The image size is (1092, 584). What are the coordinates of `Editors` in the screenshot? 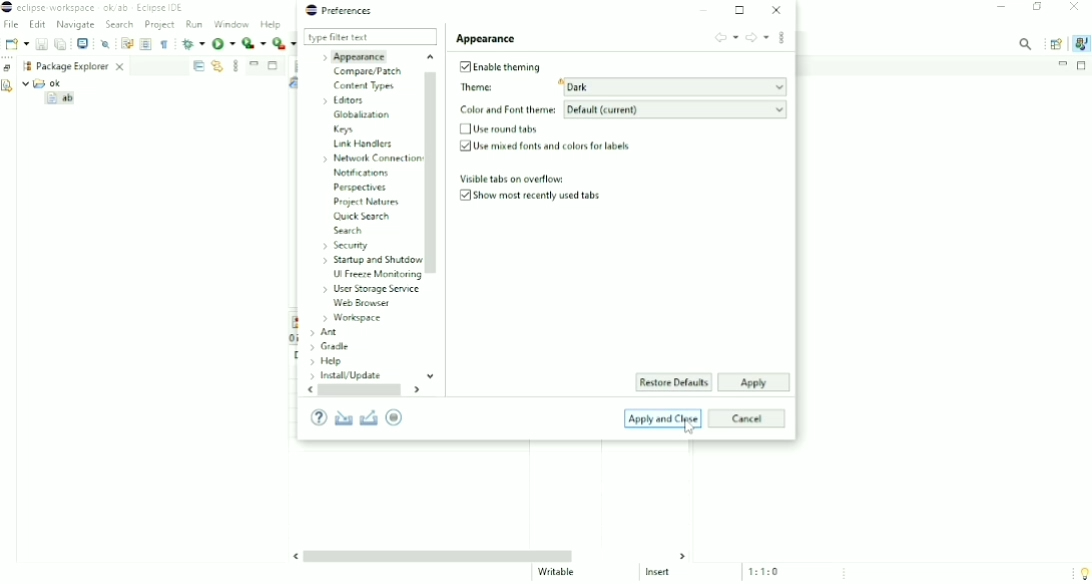 It's located at (346, 100).